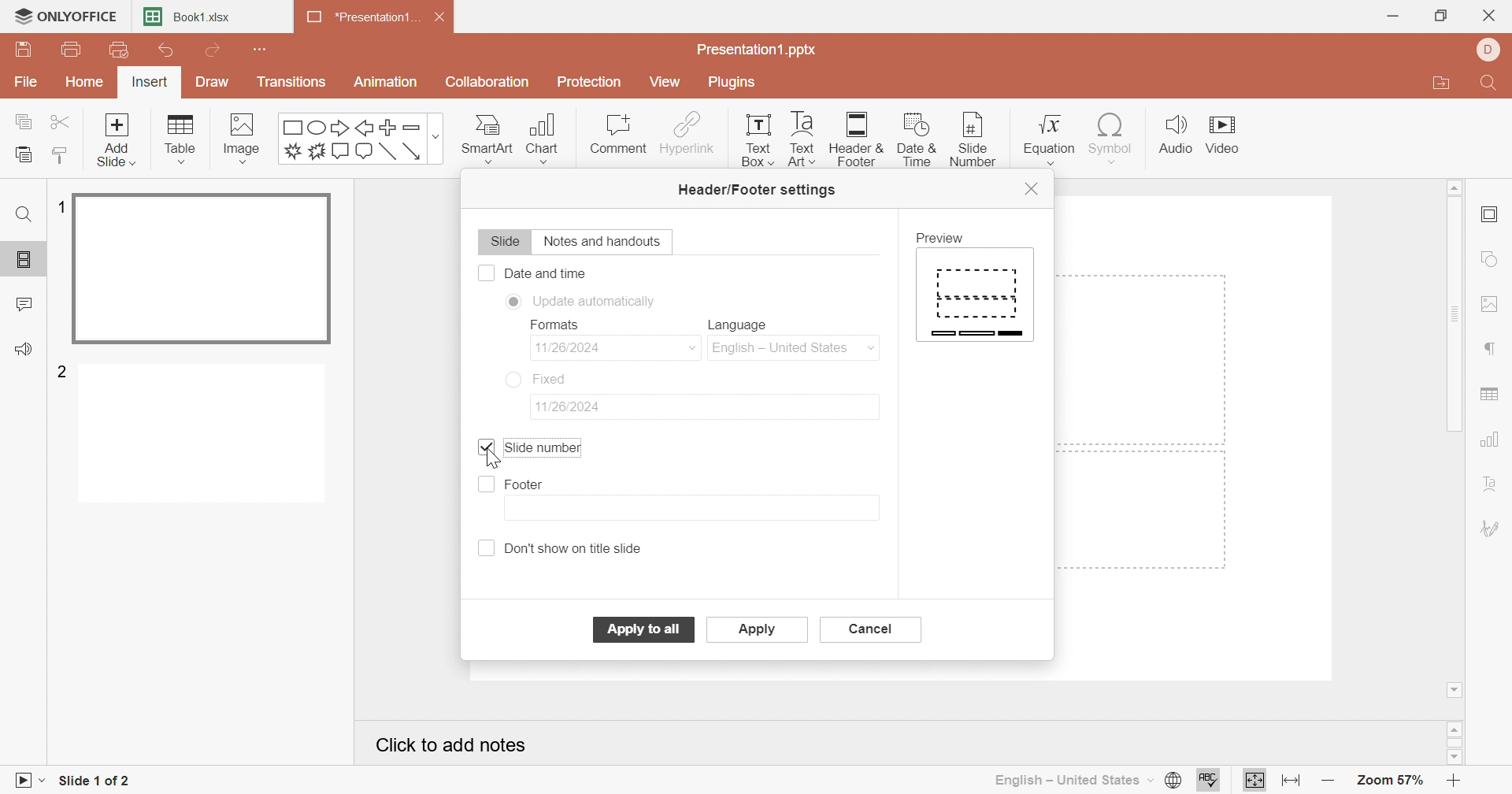  I want to click on Redo, so click(216, 52).